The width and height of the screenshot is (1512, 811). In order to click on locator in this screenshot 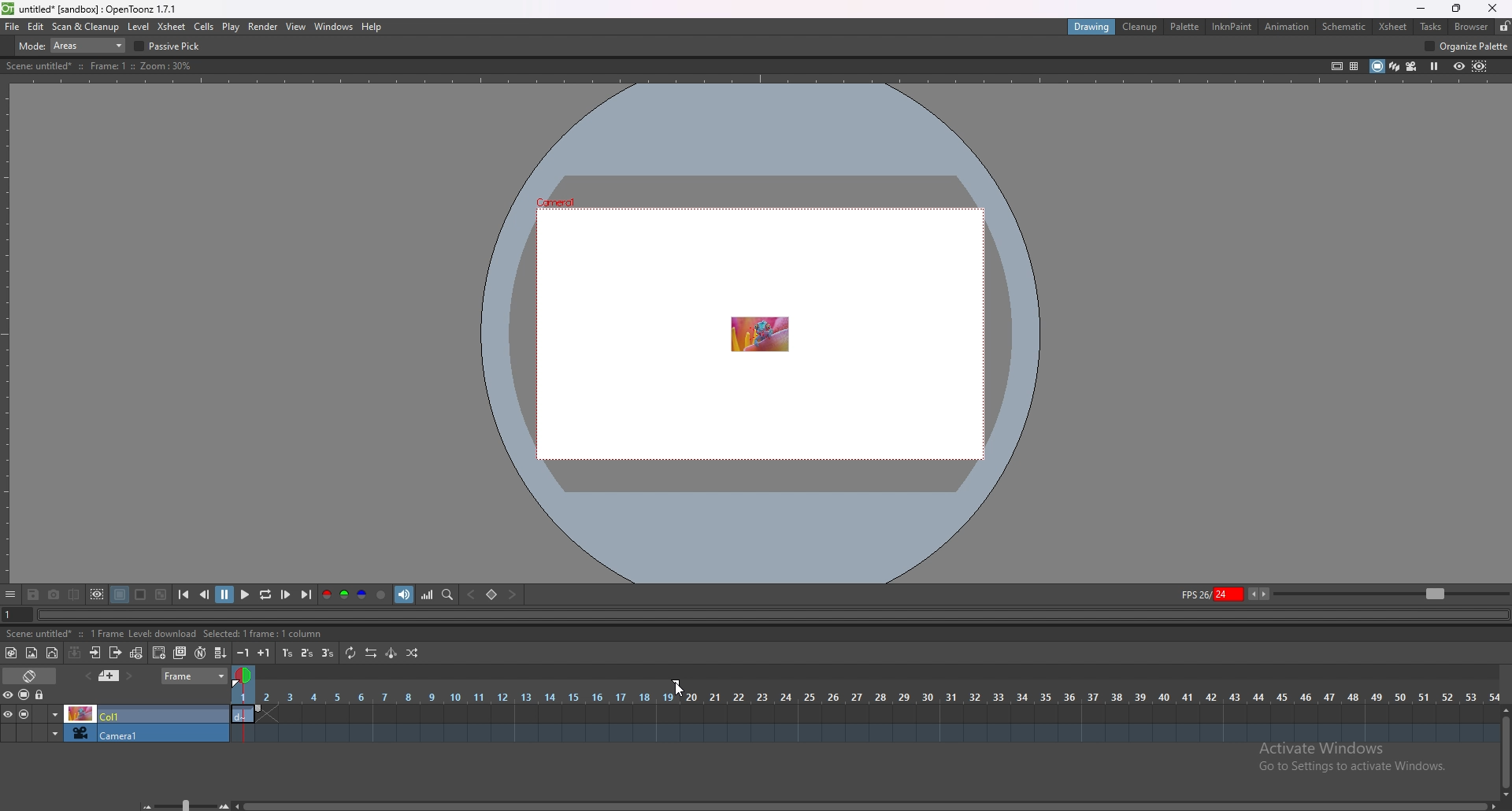, I will do `click(449, 595)`.